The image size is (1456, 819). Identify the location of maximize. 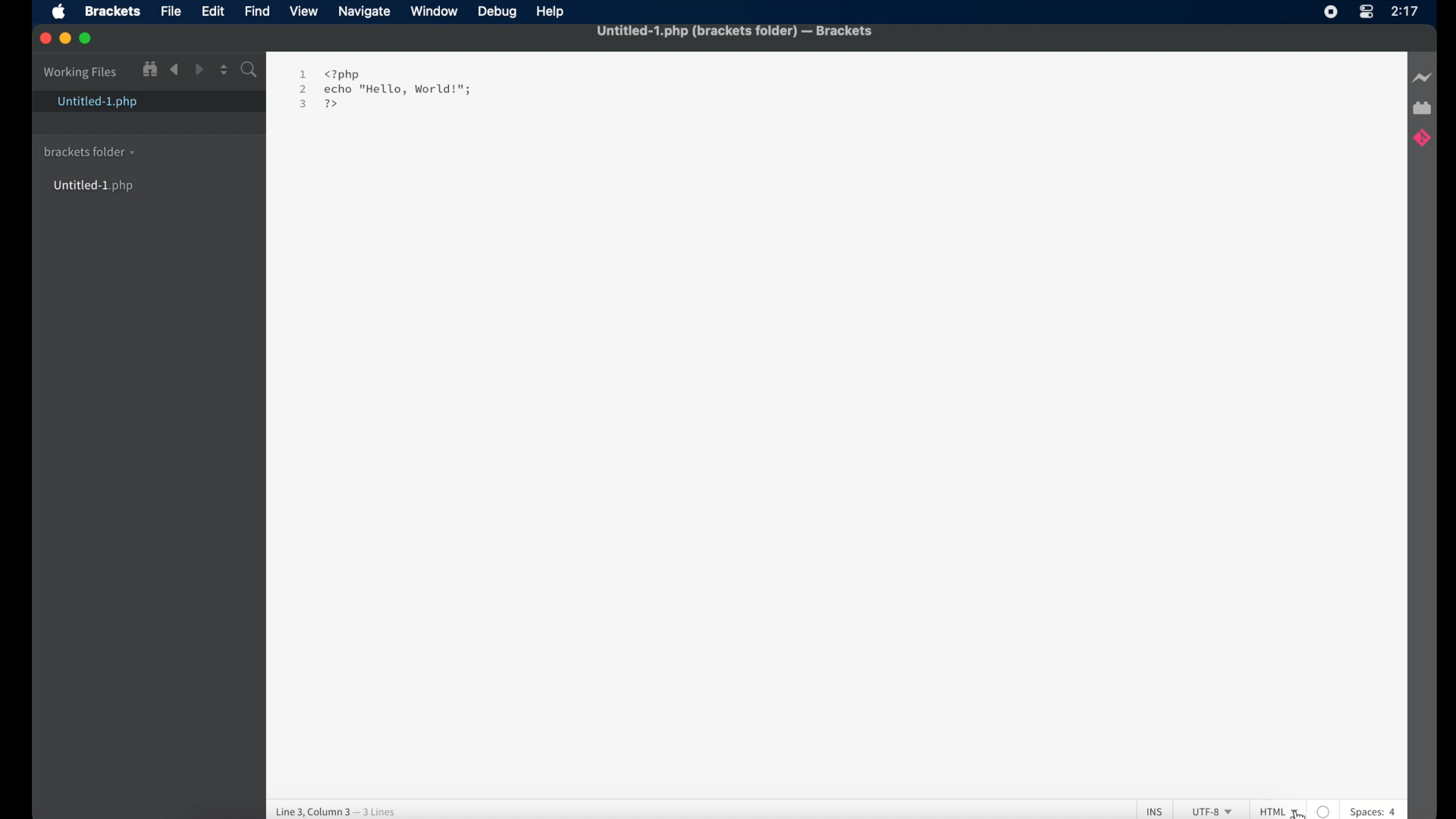
(87, 38).